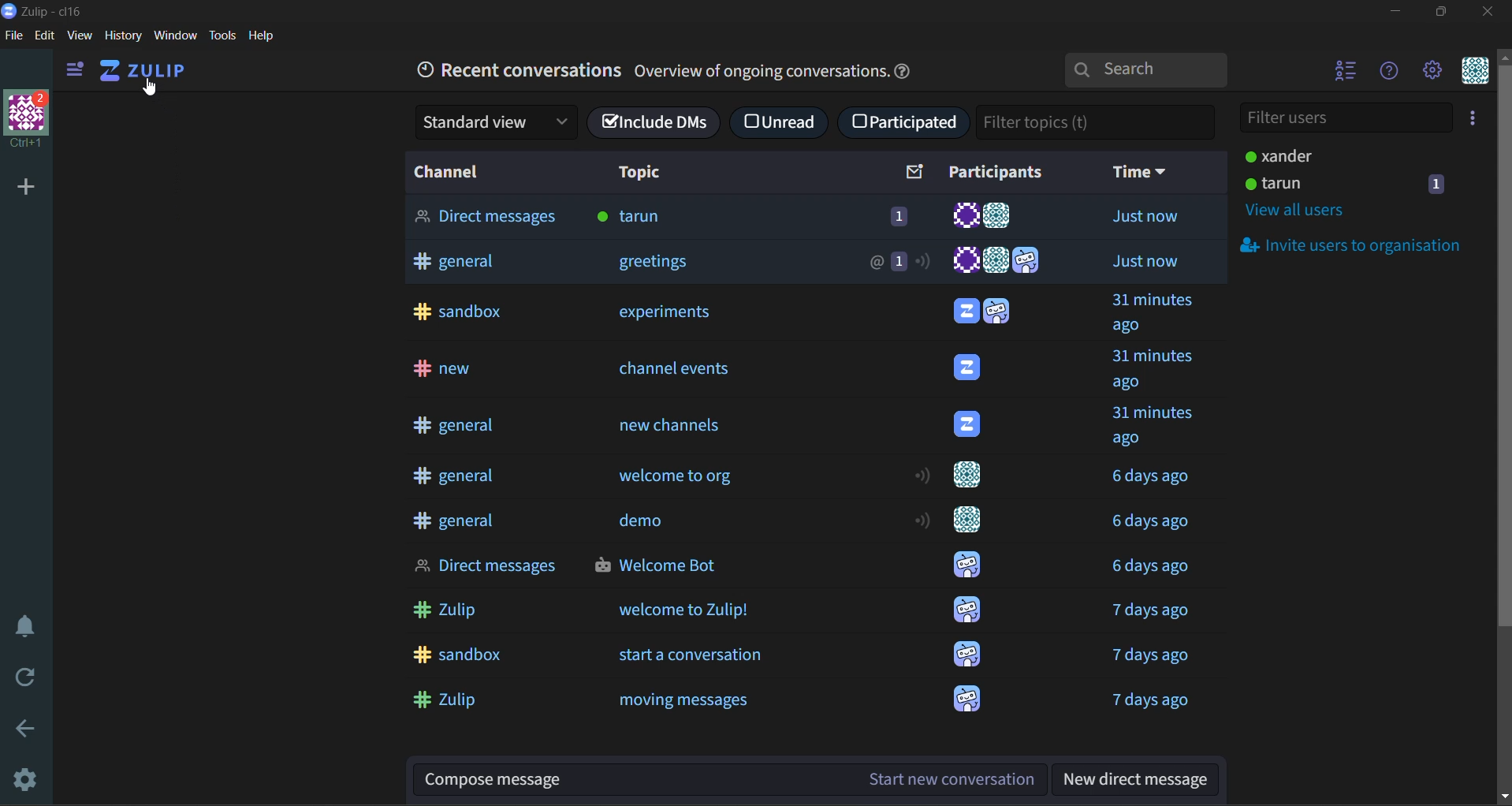 This screenshot has height=806, width=1512. I want to click on help, so click(903, 74).